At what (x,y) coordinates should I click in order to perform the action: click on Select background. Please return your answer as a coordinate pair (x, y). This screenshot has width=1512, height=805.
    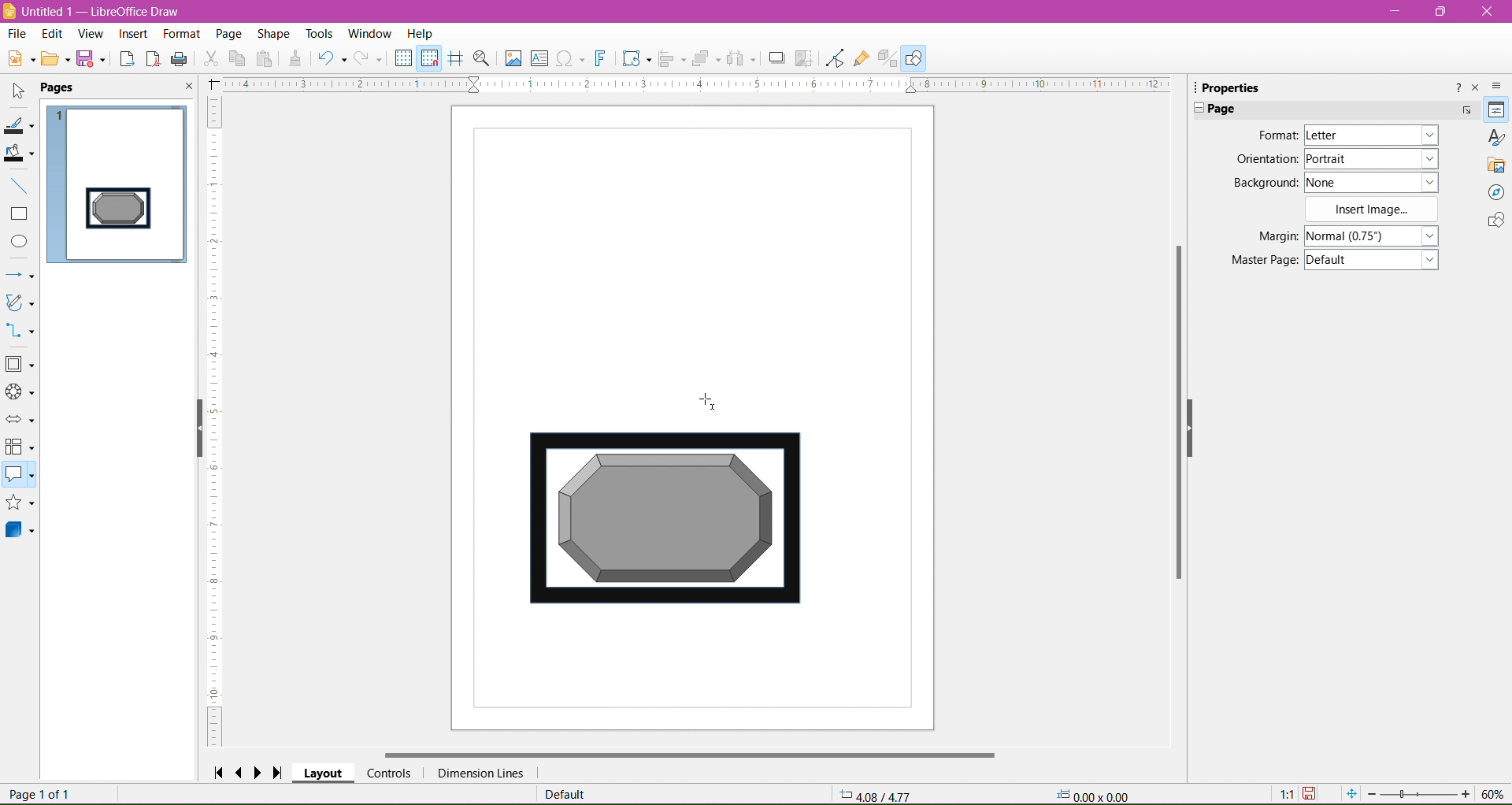
    Looking at the image, I should click on (1380, 182).